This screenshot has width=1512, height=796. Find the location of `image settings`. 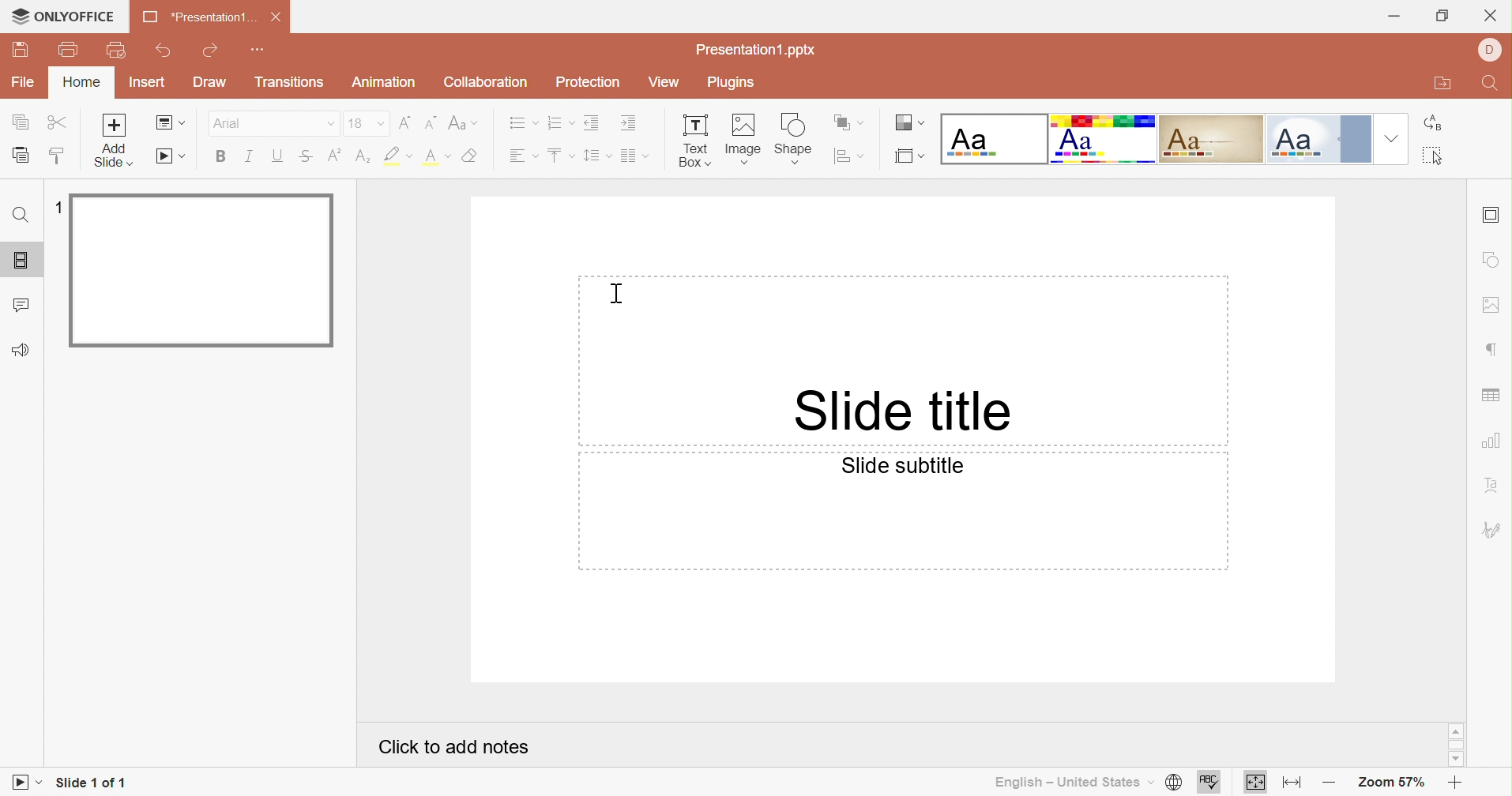

image settings is located at coordinates (1493, 302).